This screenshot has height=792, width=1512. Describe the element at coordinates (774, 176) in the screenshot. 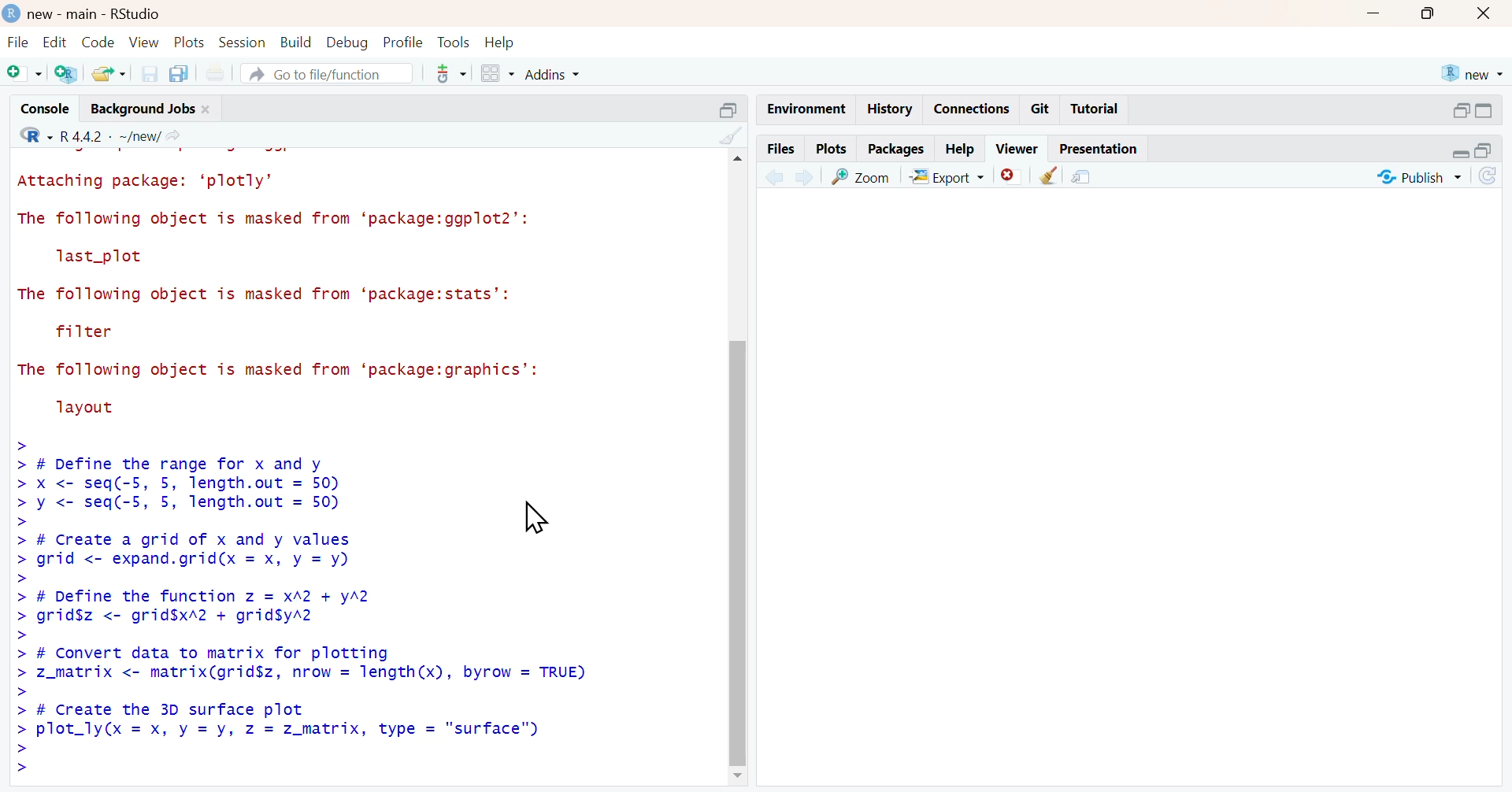

I see `previous plot` at that location.